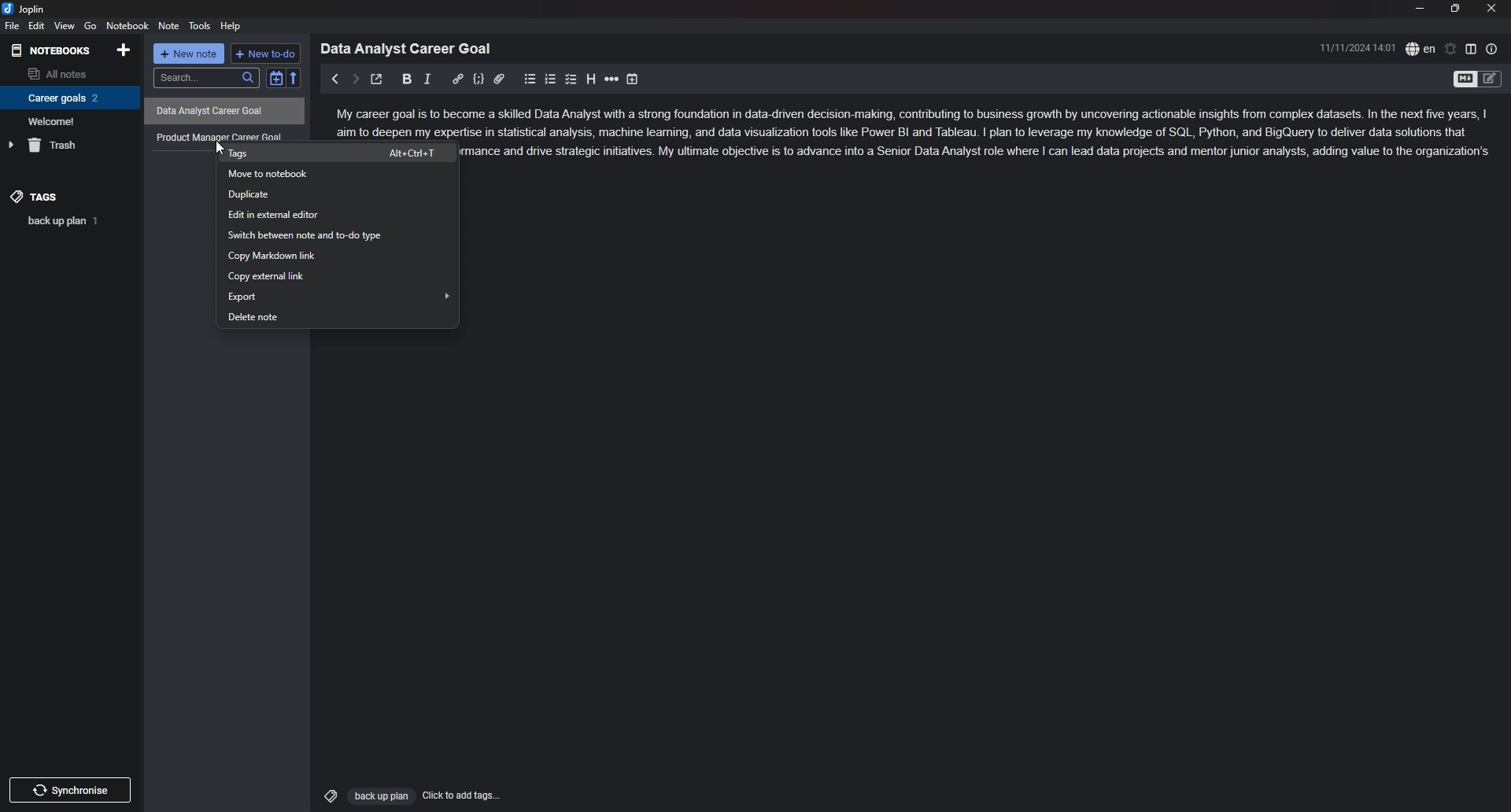  Describe the element at coordinates (355, 79) in the screenshot. I see `next` at that location.